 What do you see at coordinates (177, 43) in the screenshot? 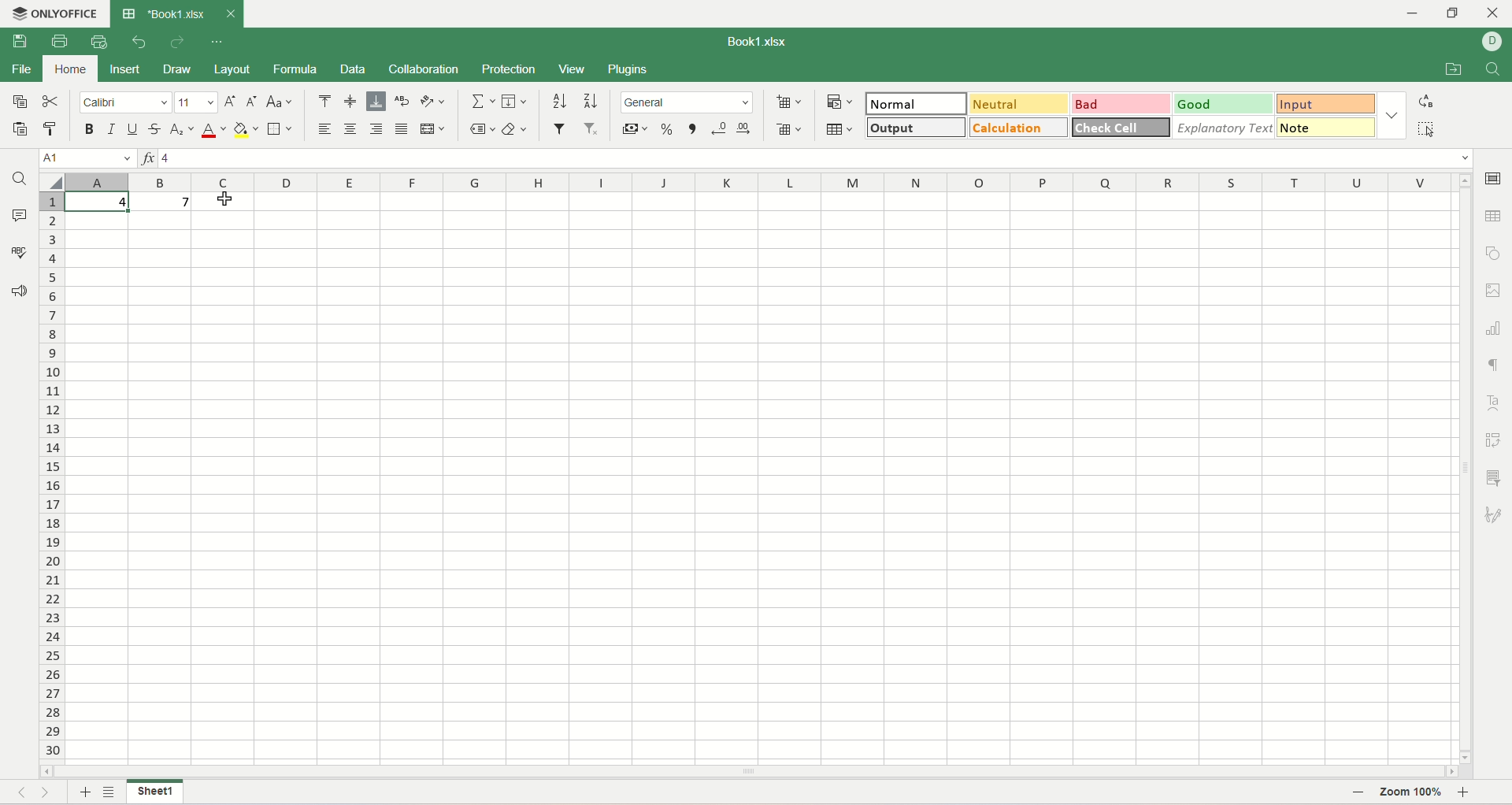
I see `redo` at bounding box center [177, 43].